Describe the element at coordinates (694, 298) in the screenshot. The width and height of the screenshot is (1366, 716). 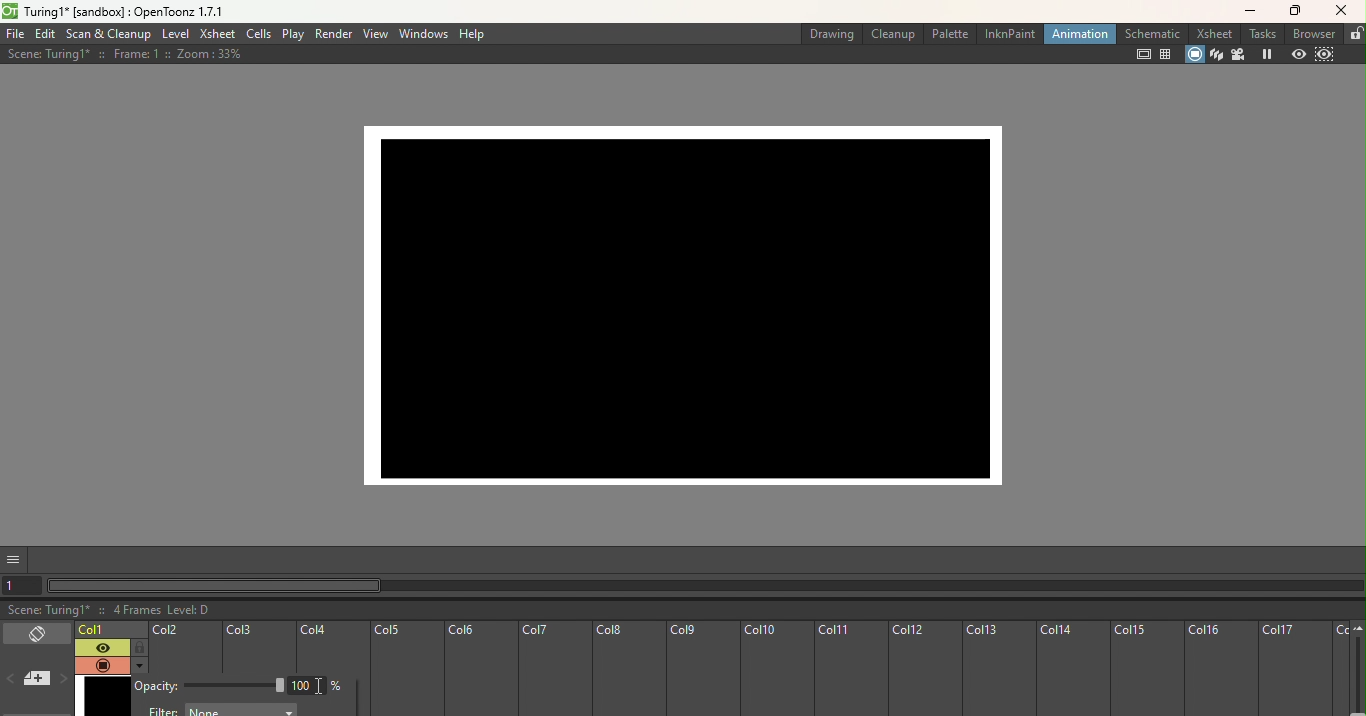
I see `Canvas` at that location.